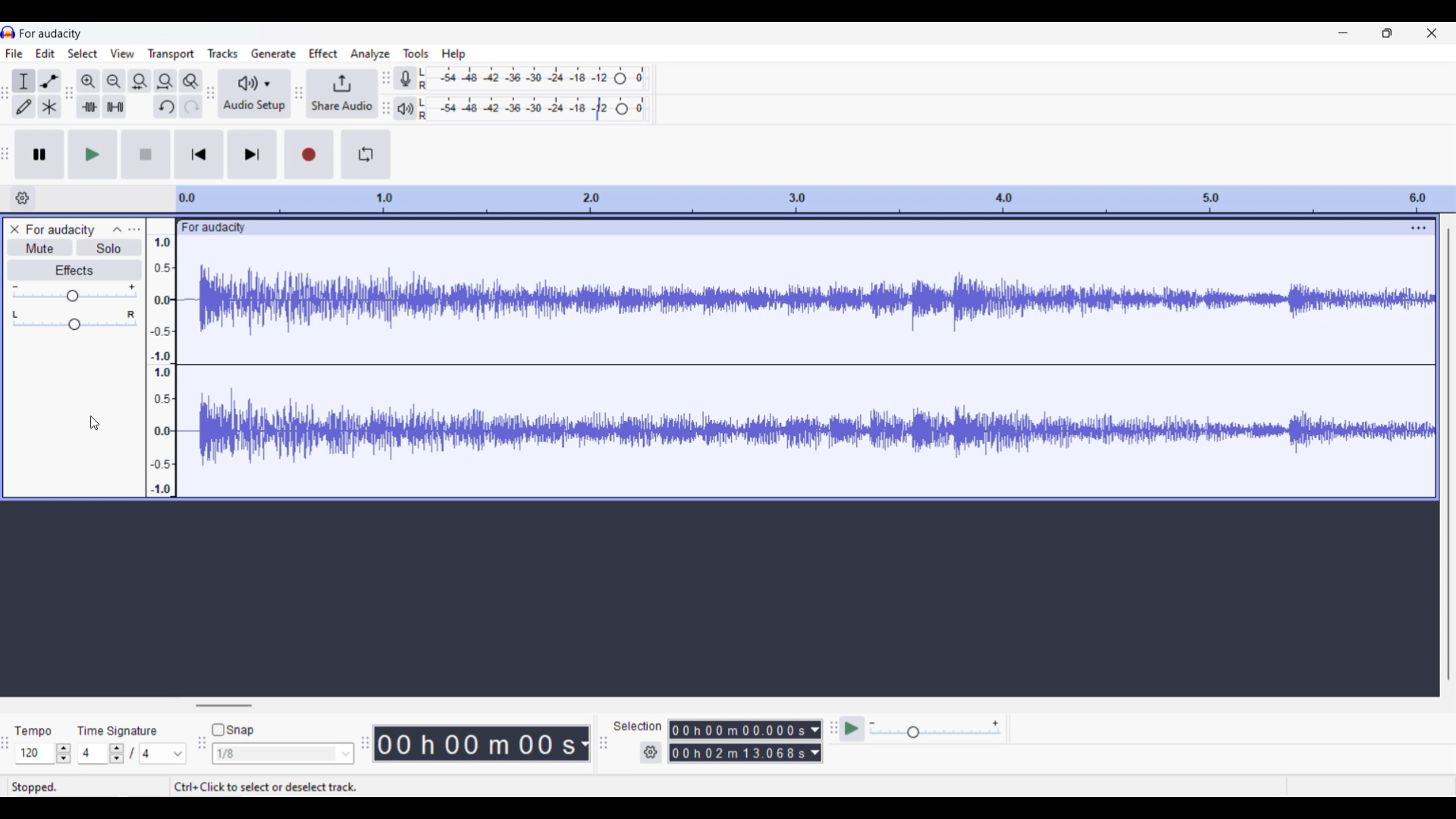  What do you see at coordinates (118, 229) in the screenshot?
I see `Collpase` at bounding box center [118, 229].